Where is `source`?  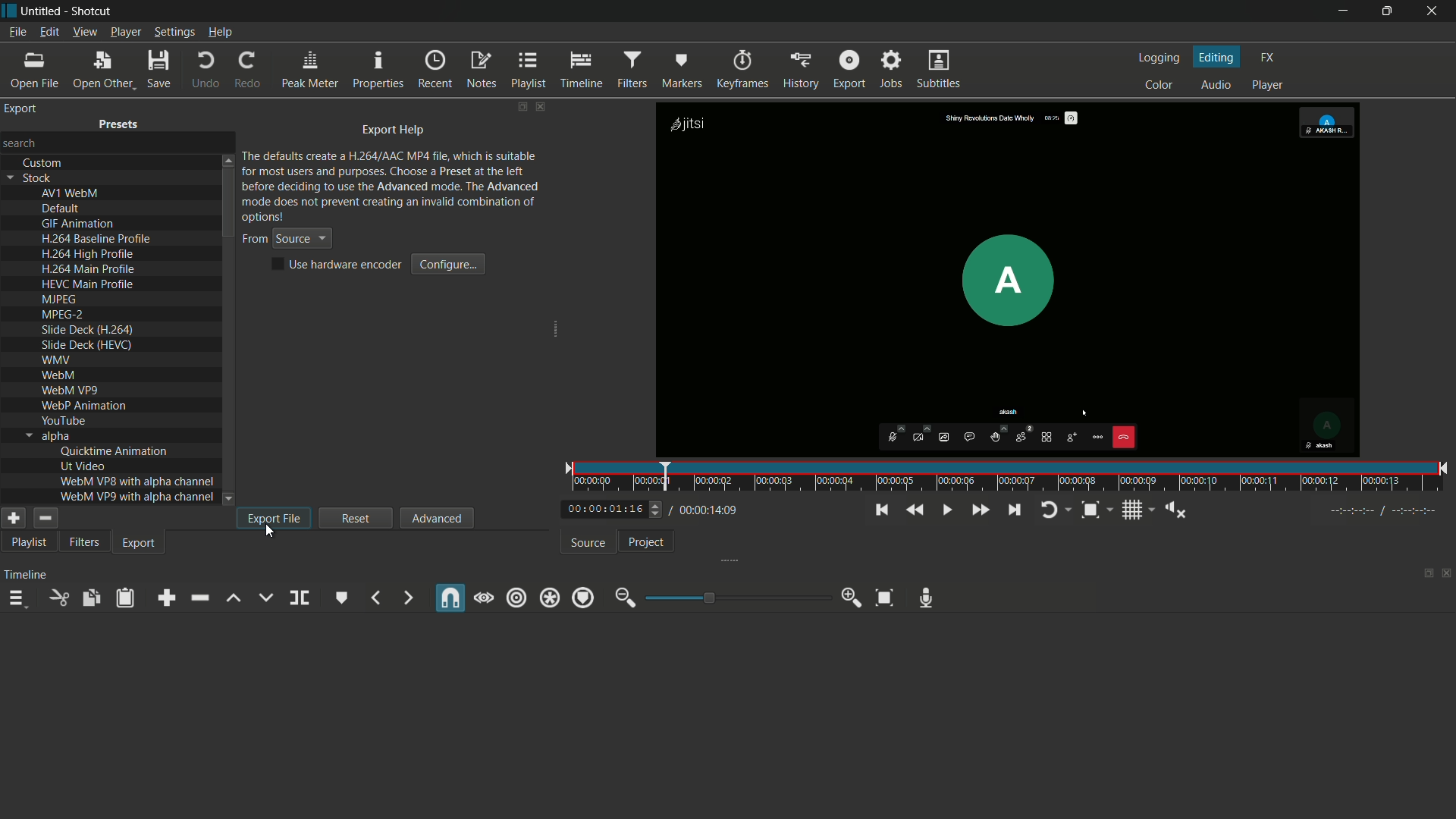
source is located at coordinates (585, 543).